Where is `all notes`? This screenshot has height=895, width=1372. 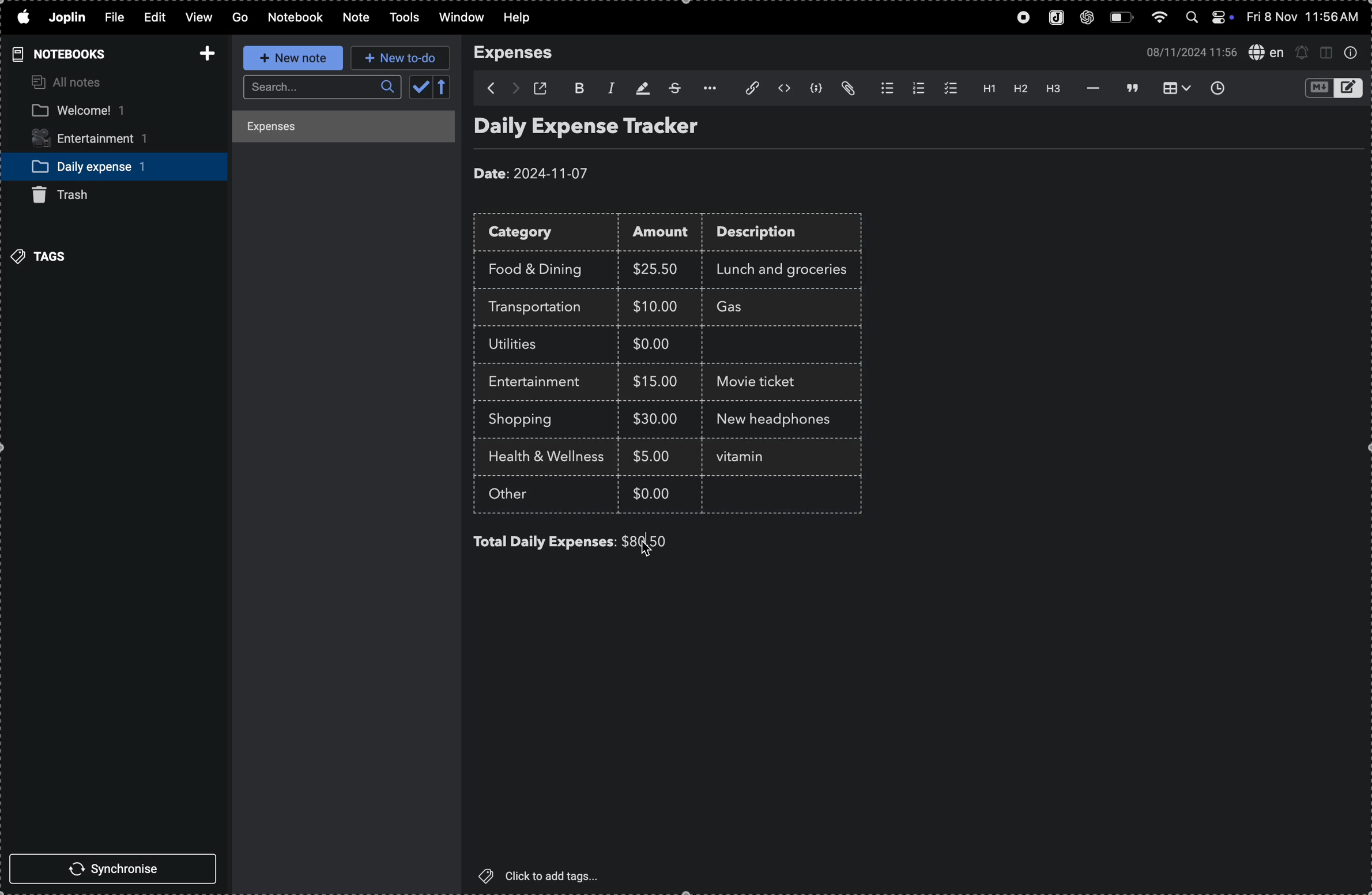 all notes is located at coordinates (69, 83).